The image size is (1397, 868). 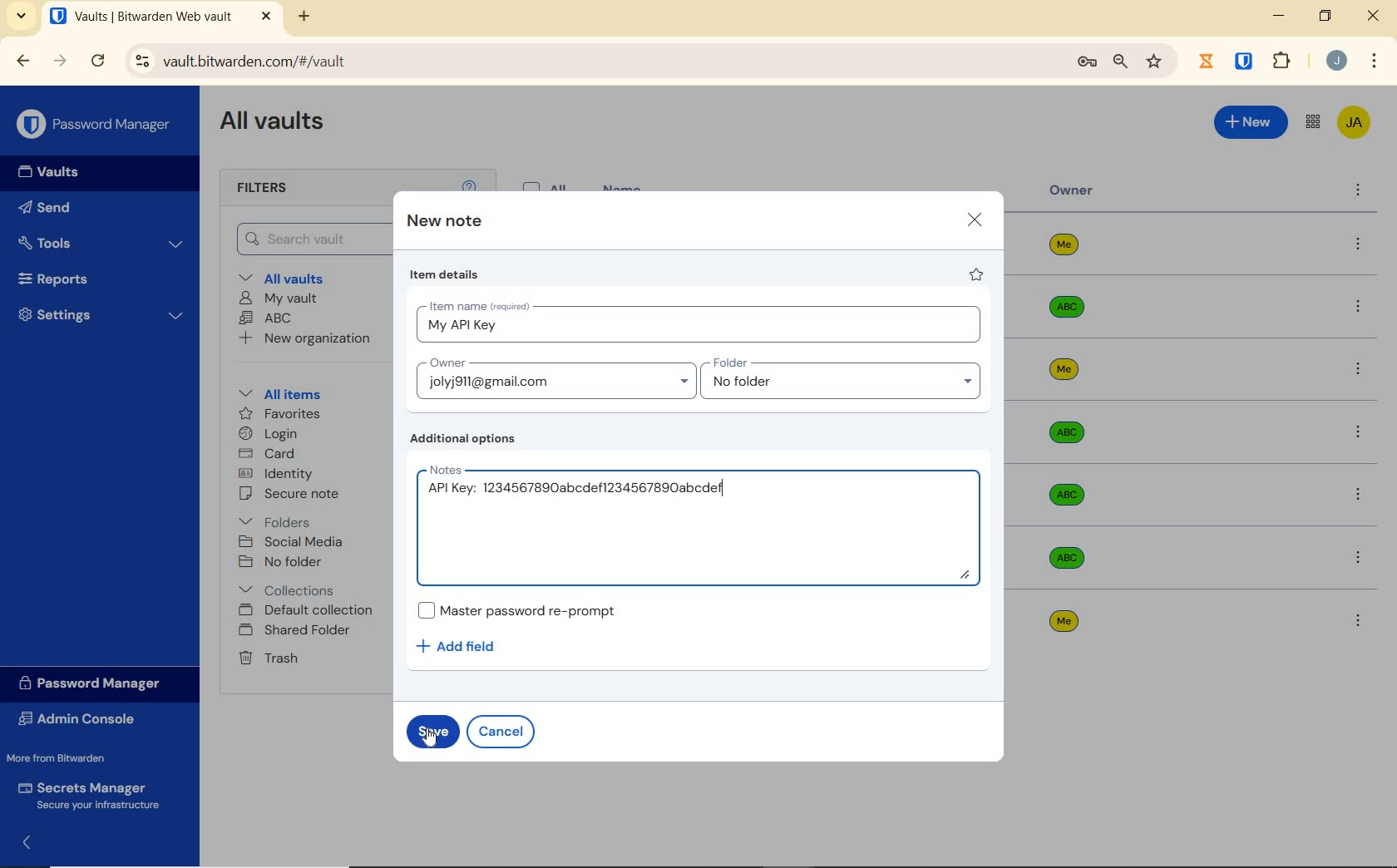 What do you see at coordinates (290, 587) in the screenshot?
I see `Collections` at bounding box center [290, 587].